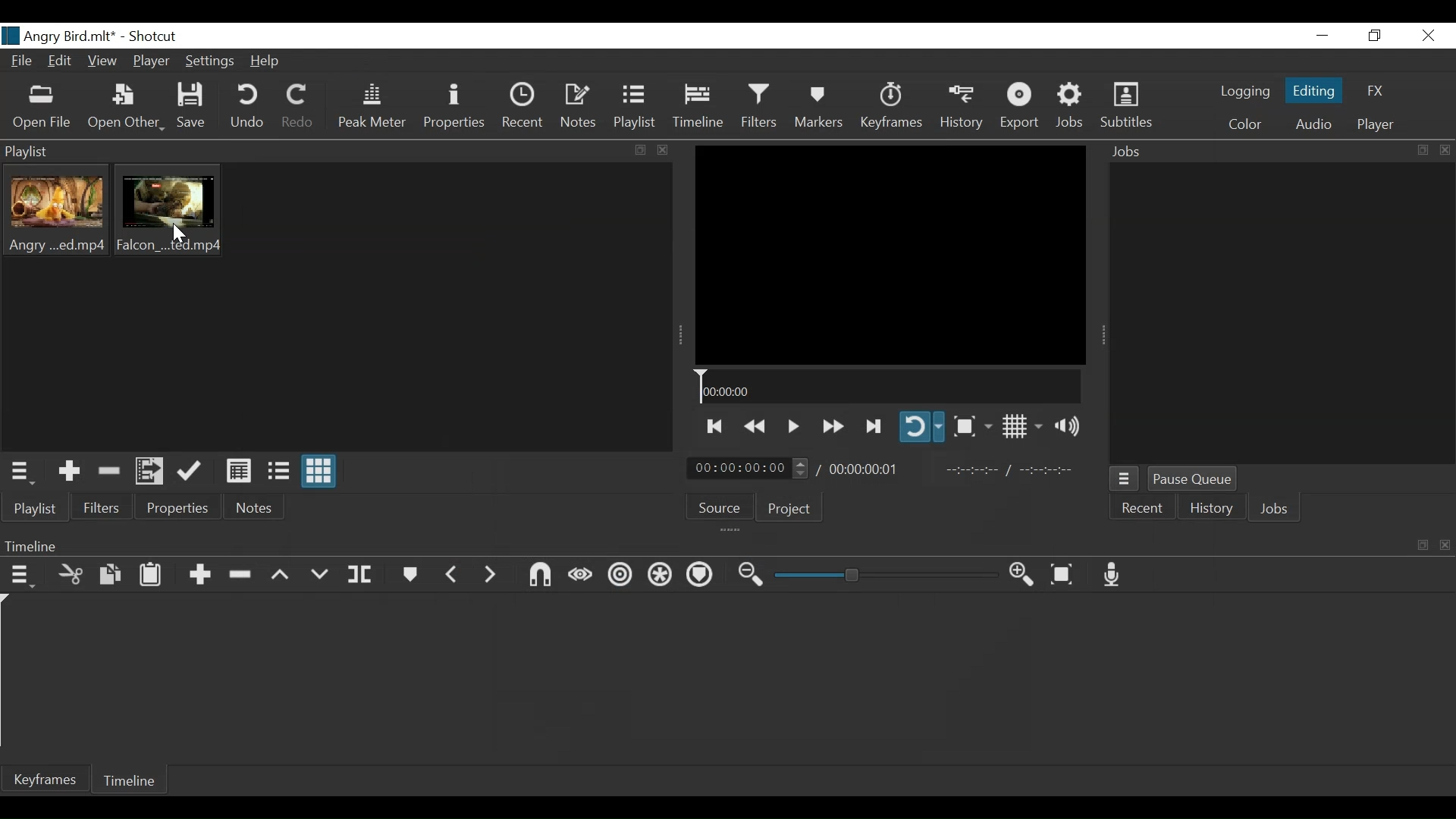 The image size is (1456, 819). I want to click on View as icons, so click(320, 471).